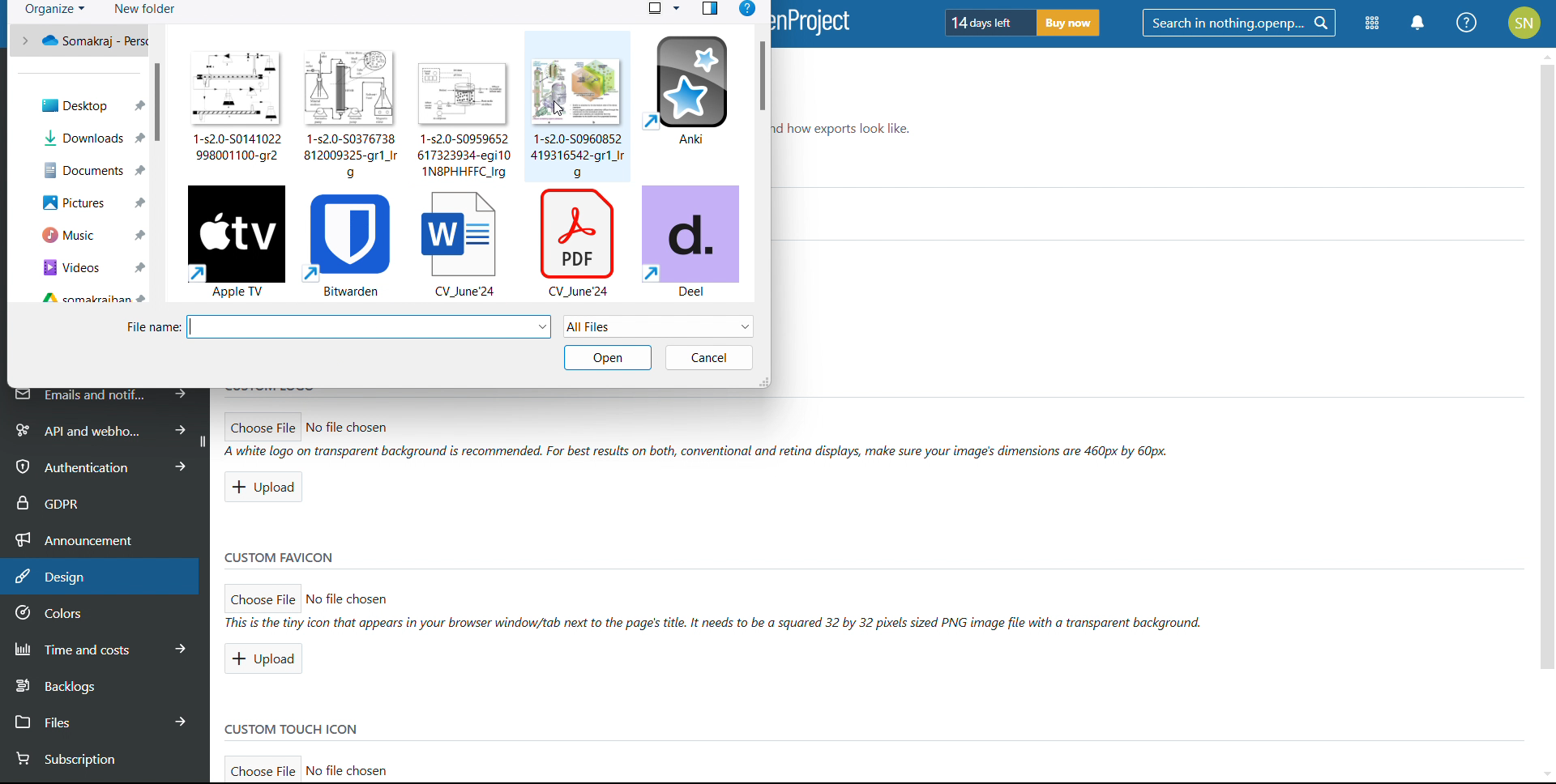 This screenshot has width=1556, height=784. I want to click on scrollbar, so click(763, 74).